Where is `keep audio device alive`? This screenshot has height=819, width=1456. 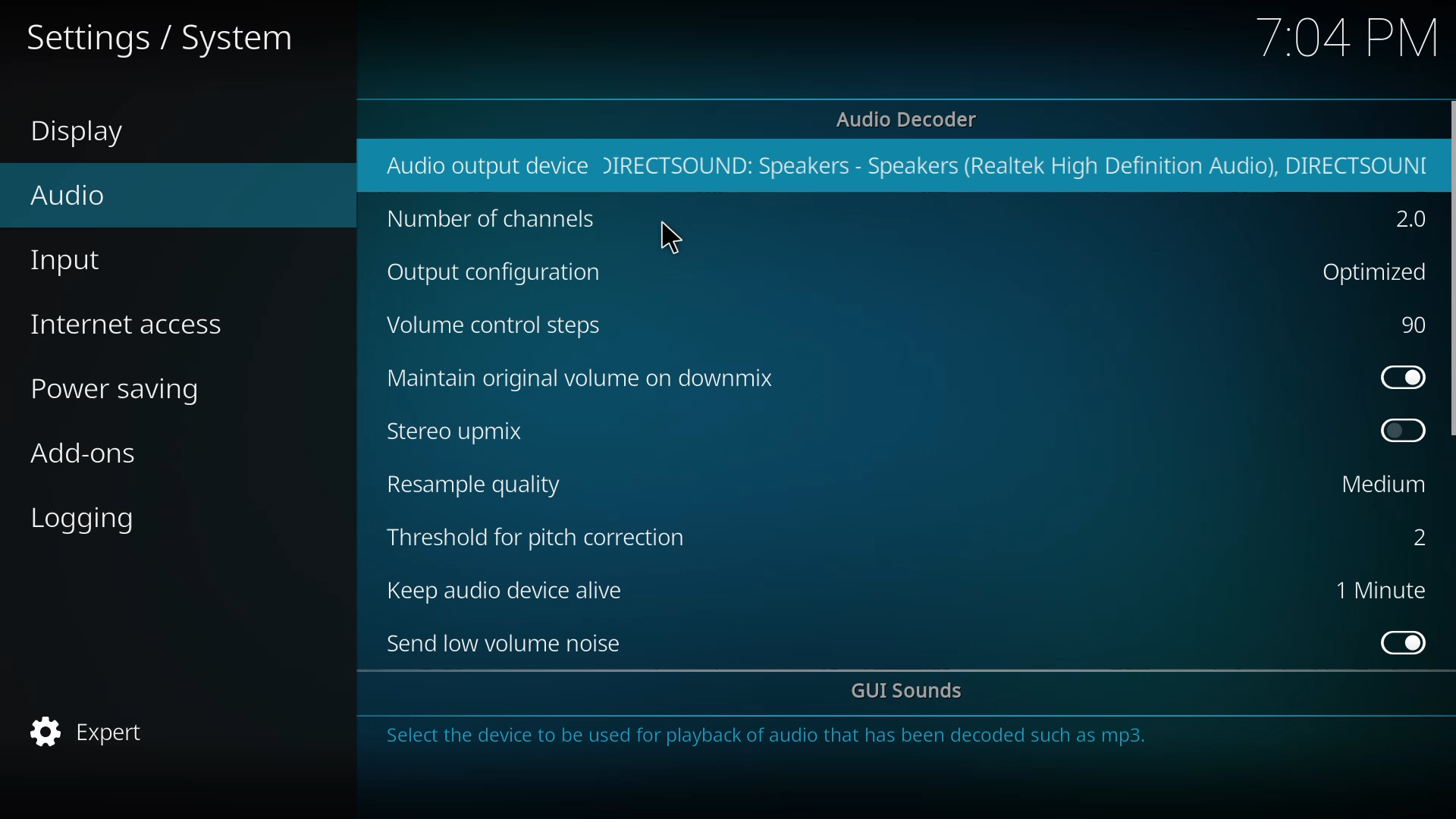
keep audio device alive is located at coordinates (515, 591).